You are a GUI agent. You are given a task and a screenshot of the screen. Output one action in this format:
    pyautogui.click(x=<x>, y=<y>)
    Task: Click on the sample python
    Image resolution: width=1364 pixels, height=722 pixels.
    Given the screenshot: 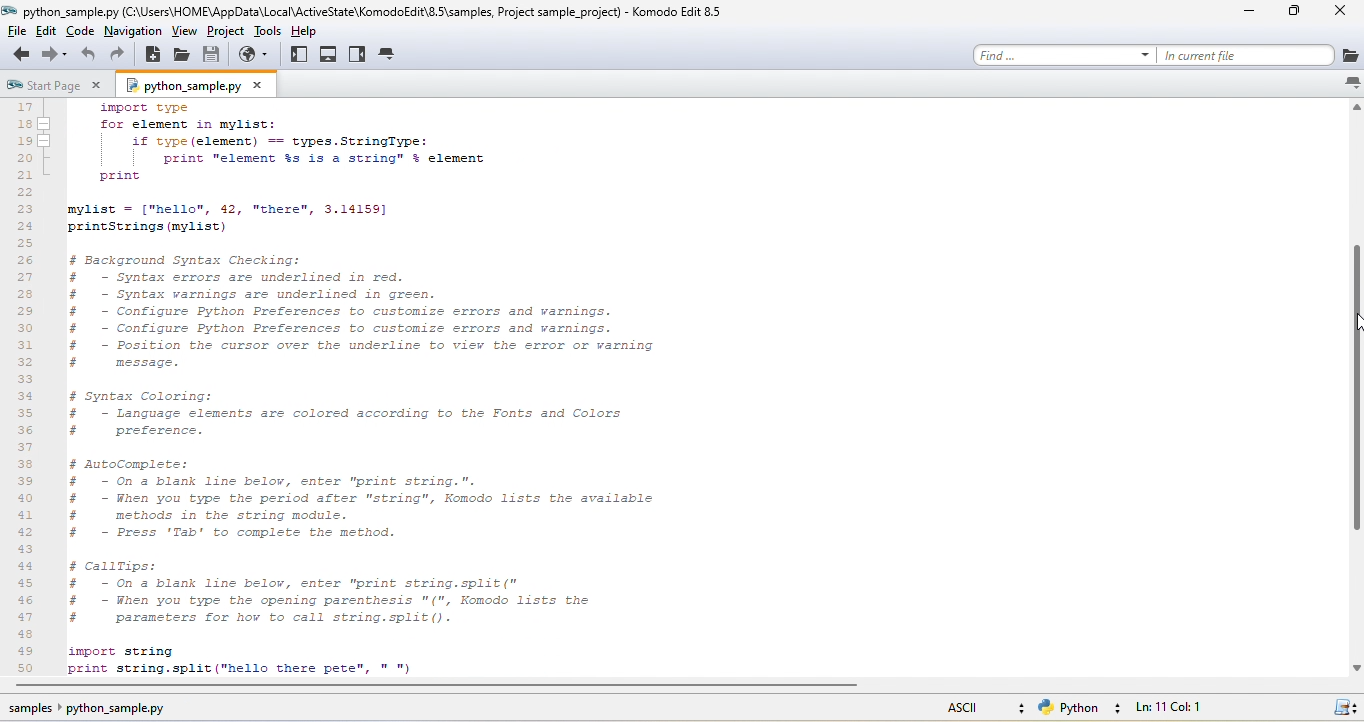 What is the action you would take?
    pyautogui.click(x=102, y=710)
    